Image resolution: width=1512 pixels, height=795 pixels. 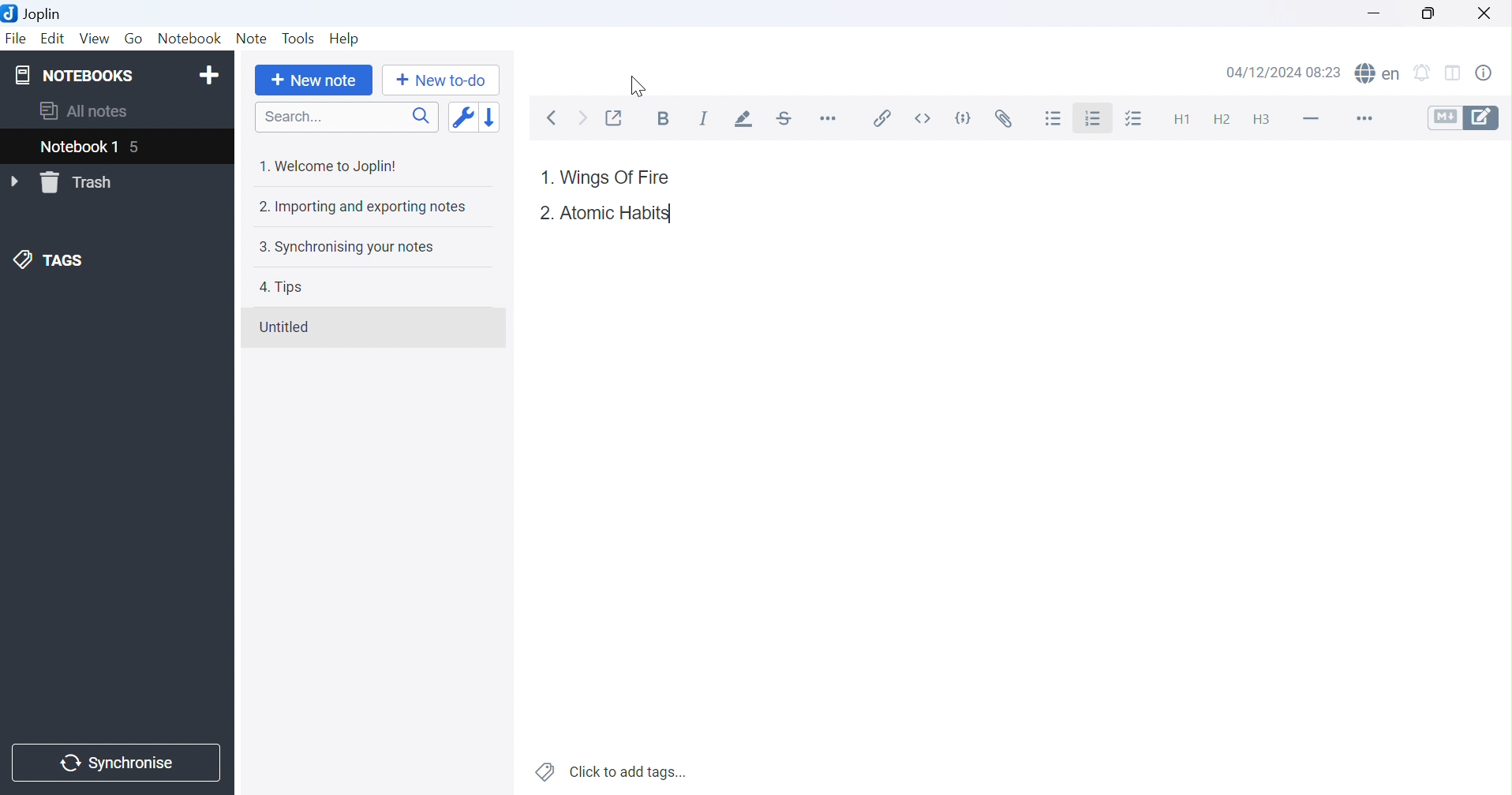 What do you see at coordinates (1463, 117) in the screenshot?
I see `Toggle editors` at bounding box center [1463, 117].